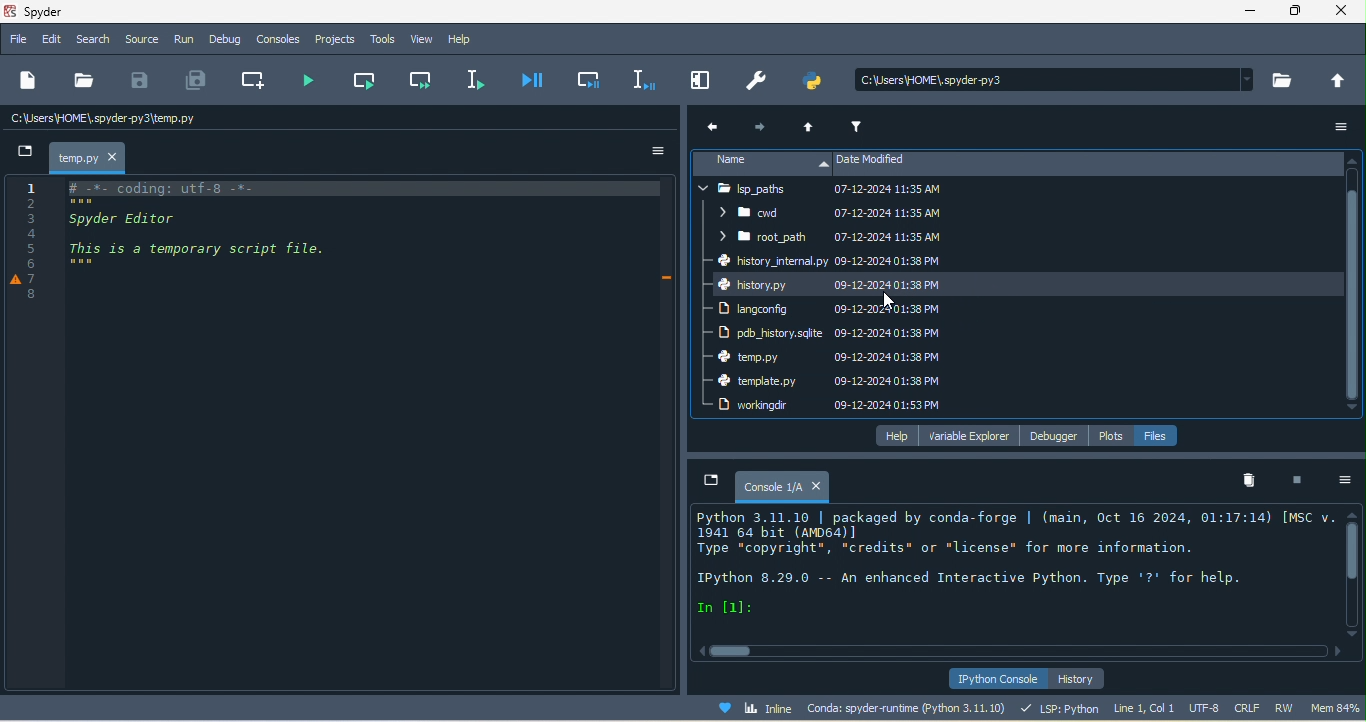 Image resolution: width=1366 pixels, height=722 pixels. Describe the element at coordinates (1053, 80) in the screenshot. I see `search bar` at that location.